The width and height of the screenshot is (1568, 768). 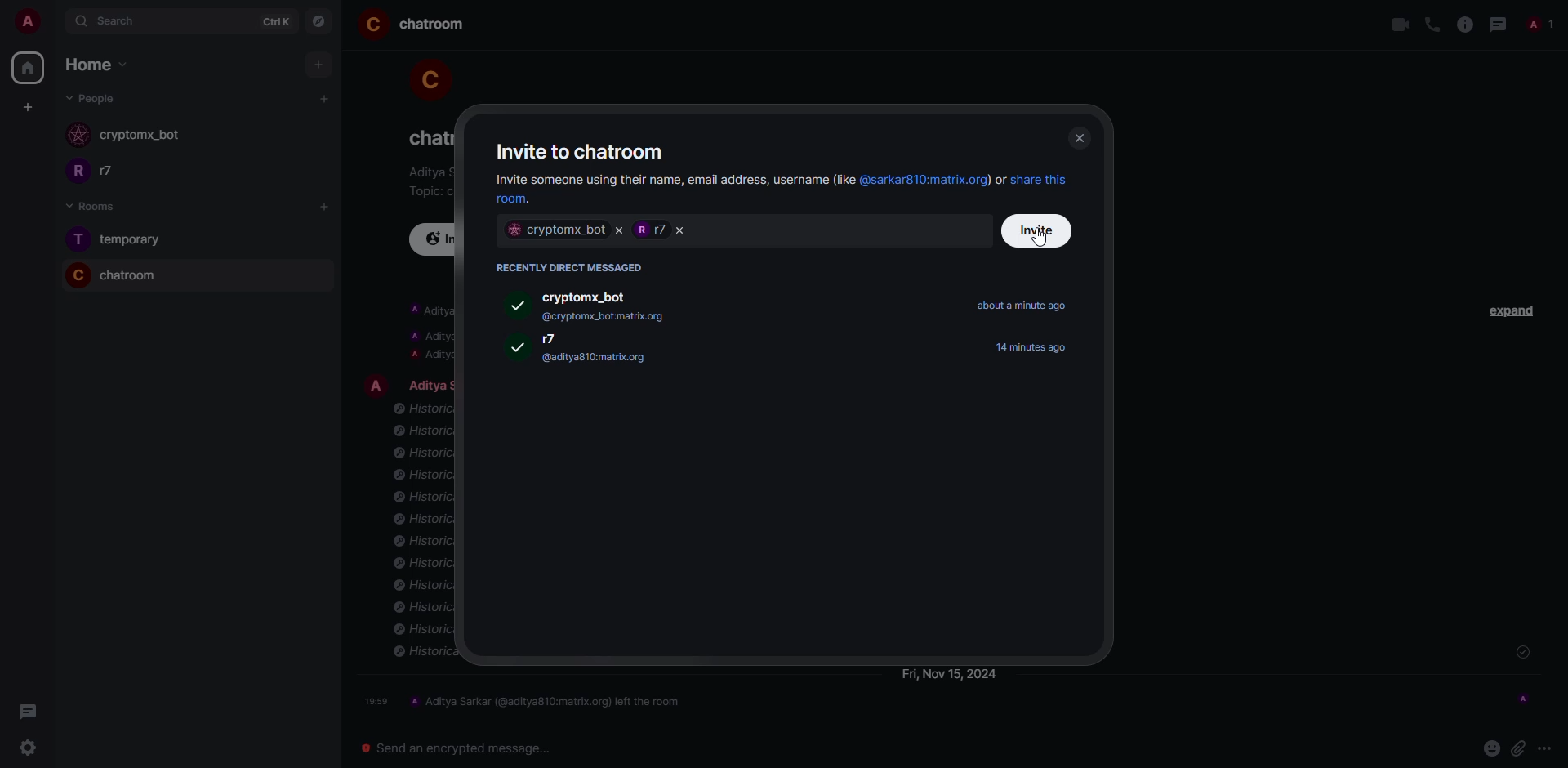 I want to click on bot, so click(x=556, y=230).